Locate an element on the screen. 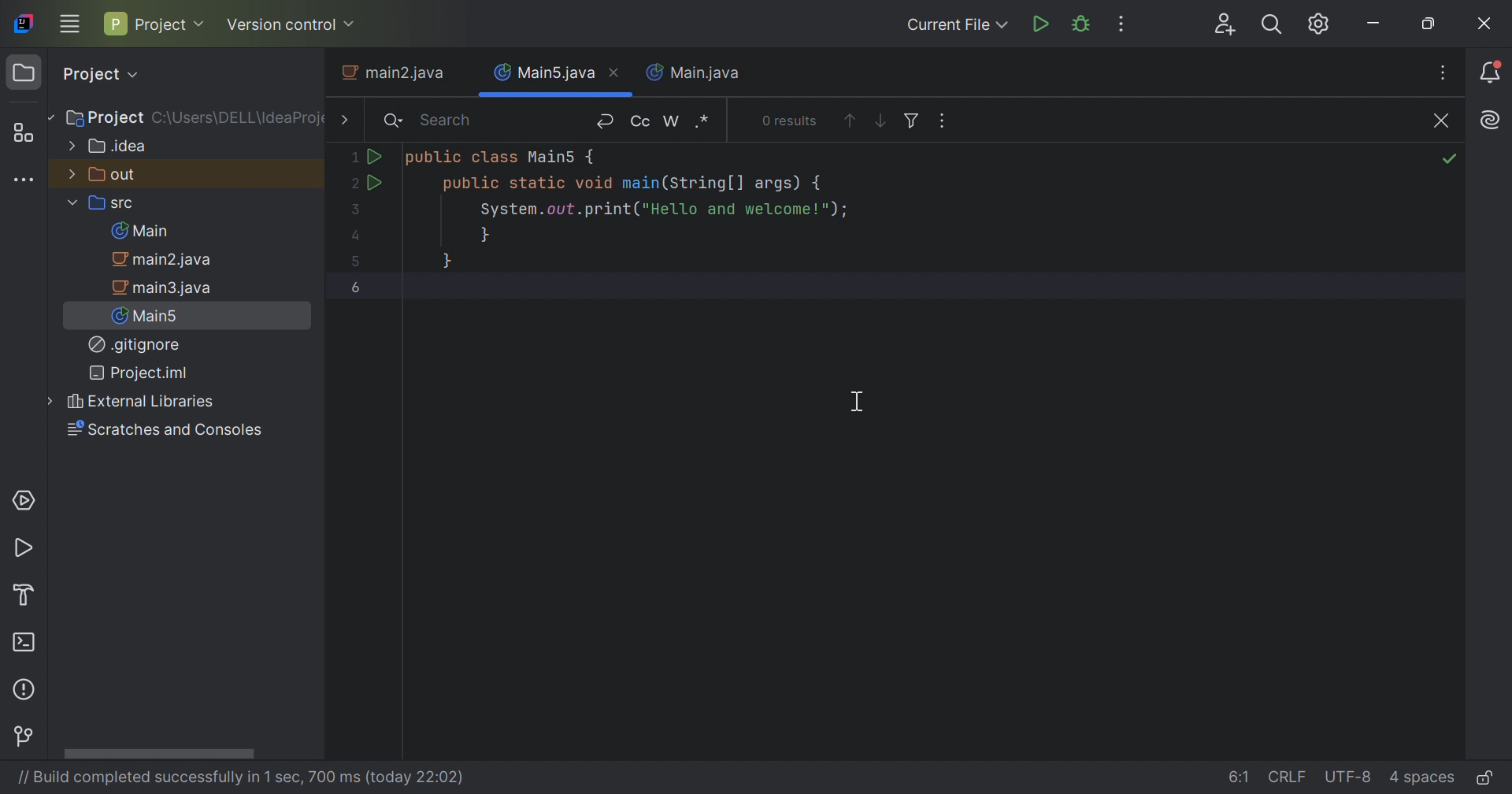 This screenshot has width=1512, height=794. Run is located at coordinates (376, 158).